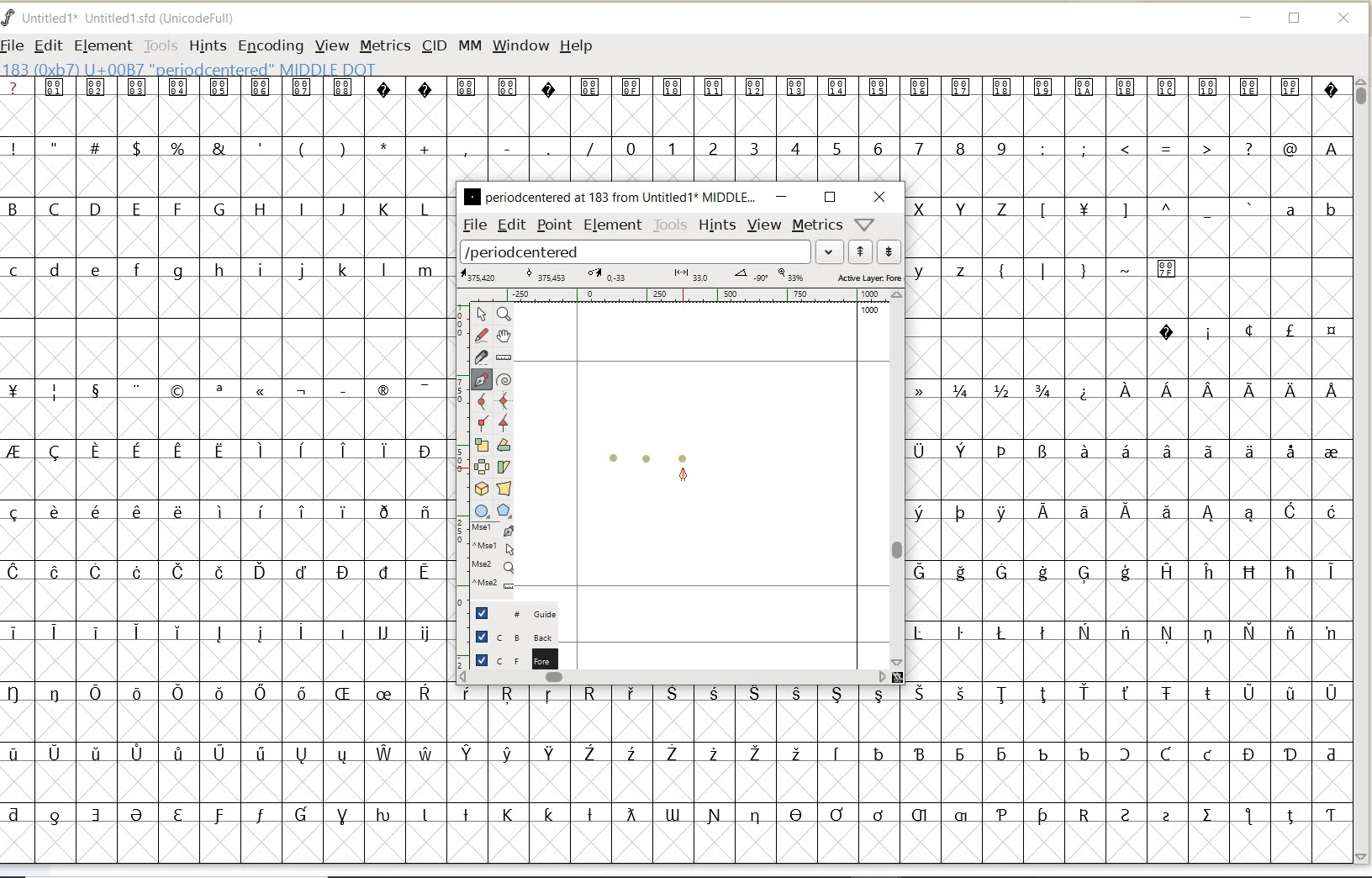  What do you see at coordinates (1108, 276) in the screenshot?
I see `special characters` at bounding box center [1108, 276].